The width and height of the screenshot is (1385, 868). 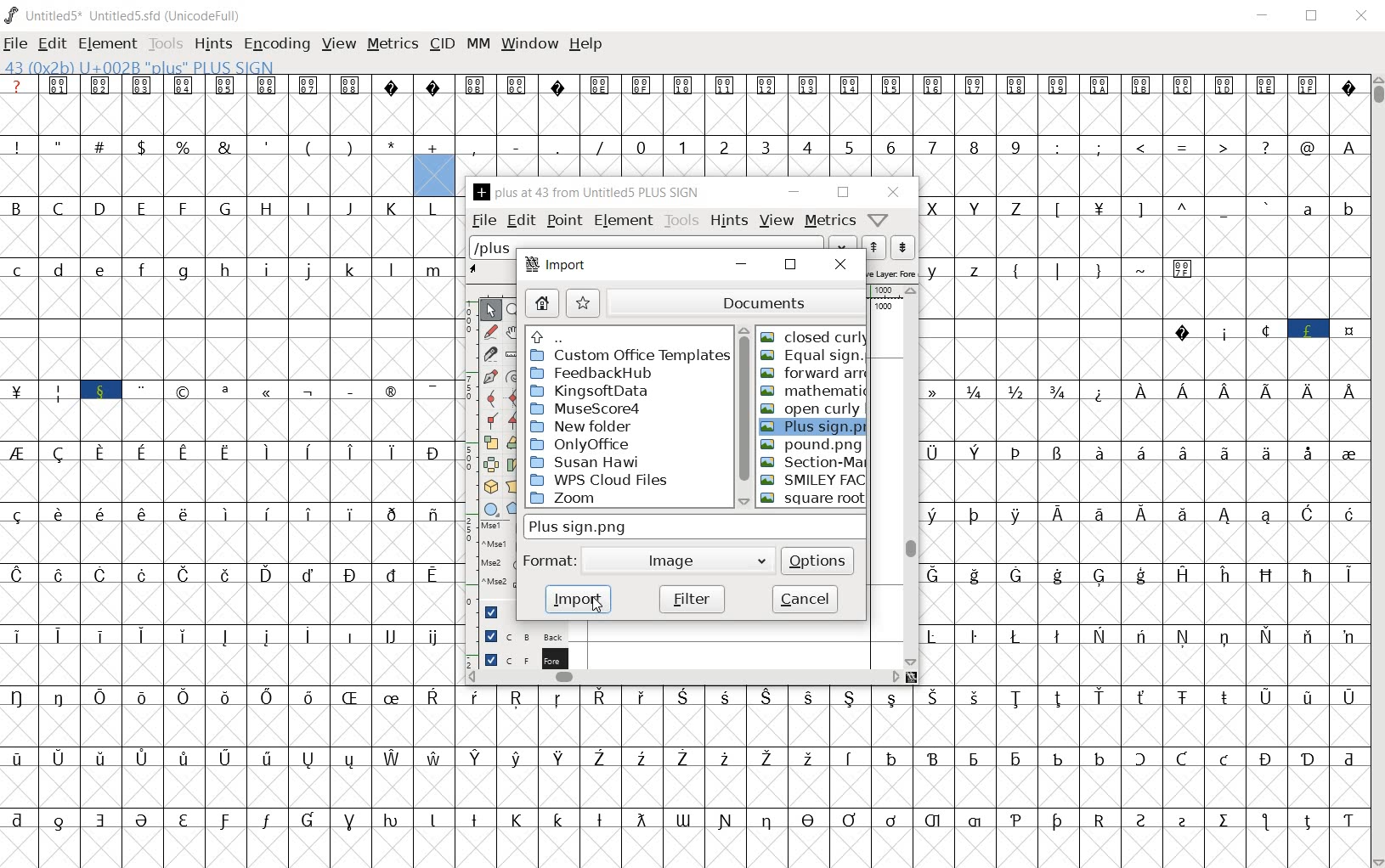 What do you see at coordinates (815, 410) in the screenshot?
I see `OPEN CURLY` at bounding box center [815, 410].